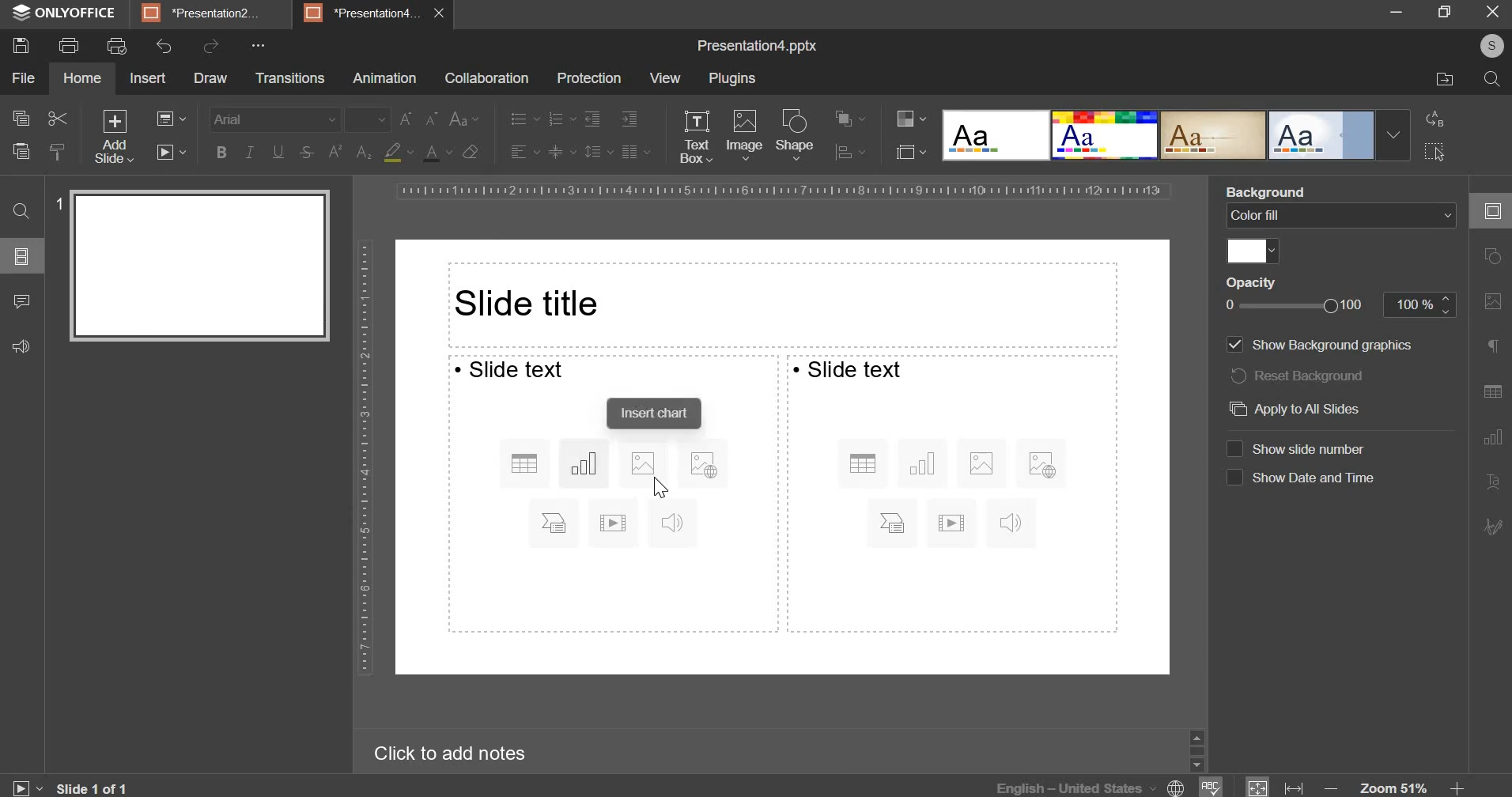 Image resolution: width=1512 pixels, height=797 pixels. What do you see at coordinates (1252, 281) in the screenshot?
I see `opacity` at bounding box center [1252, 281].